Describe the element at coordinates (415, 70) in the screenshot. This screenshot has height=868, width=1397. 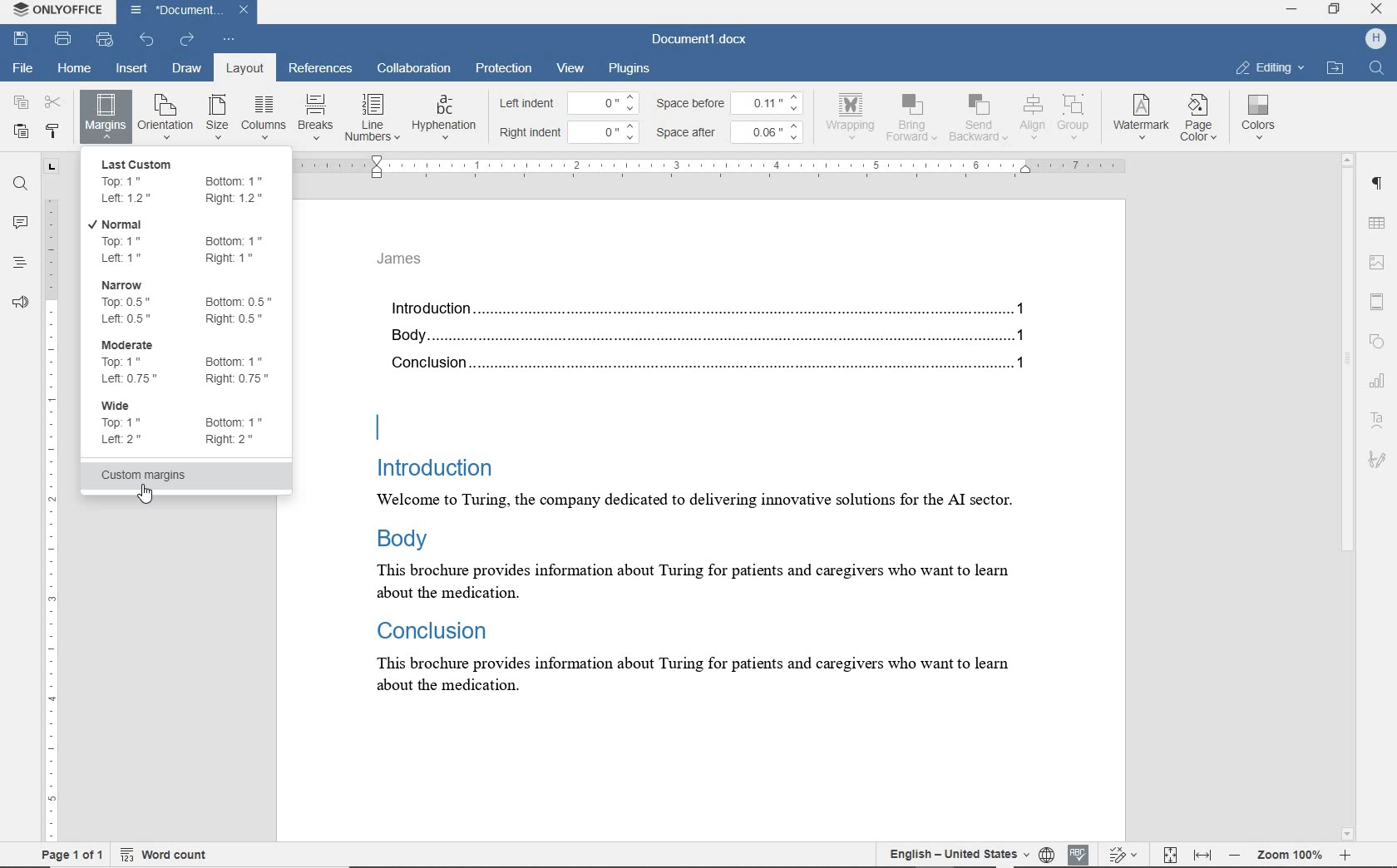
I see `collaboration` at that location.